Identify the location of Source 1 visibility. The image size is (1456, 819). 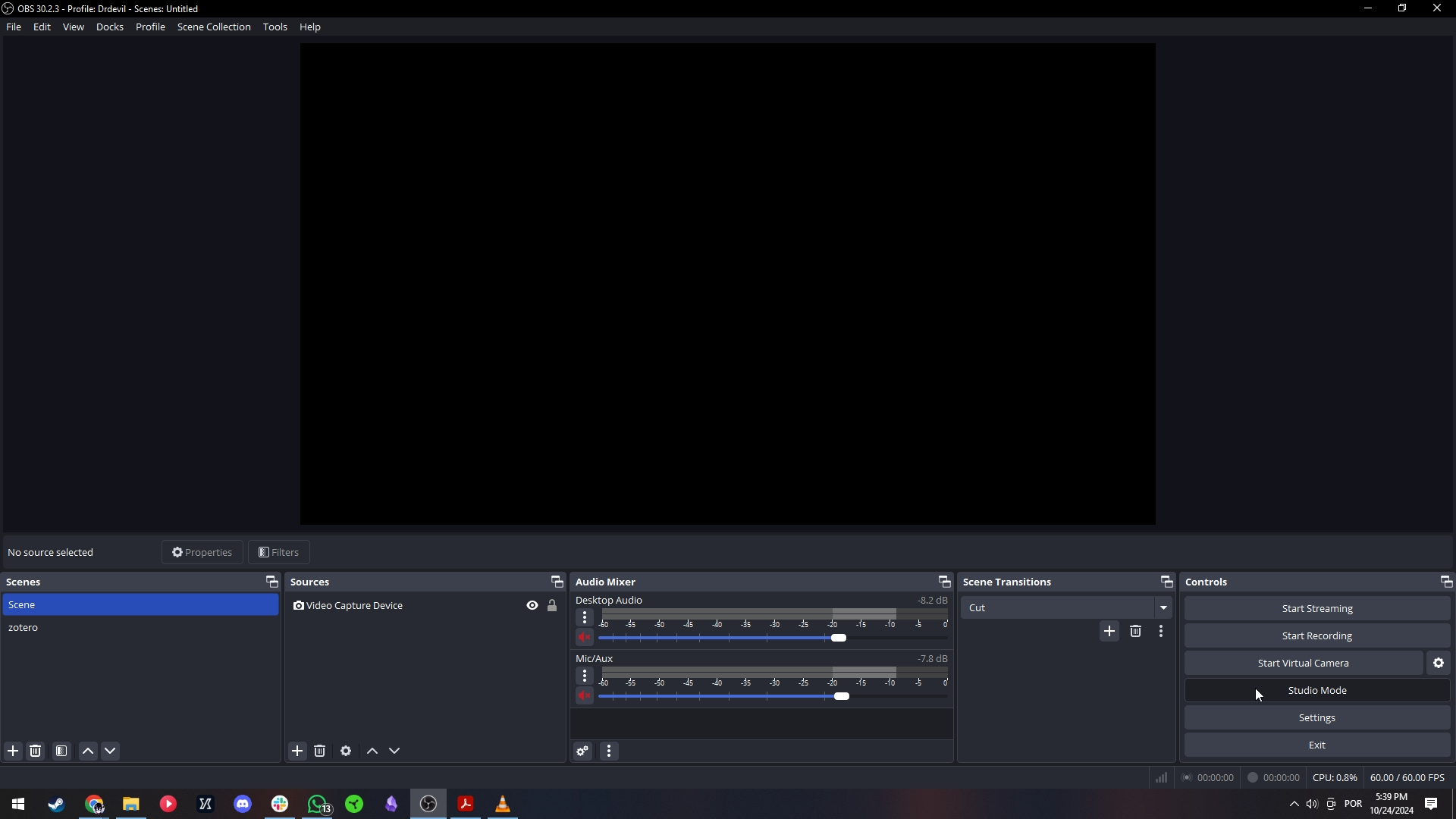
(531, 605).